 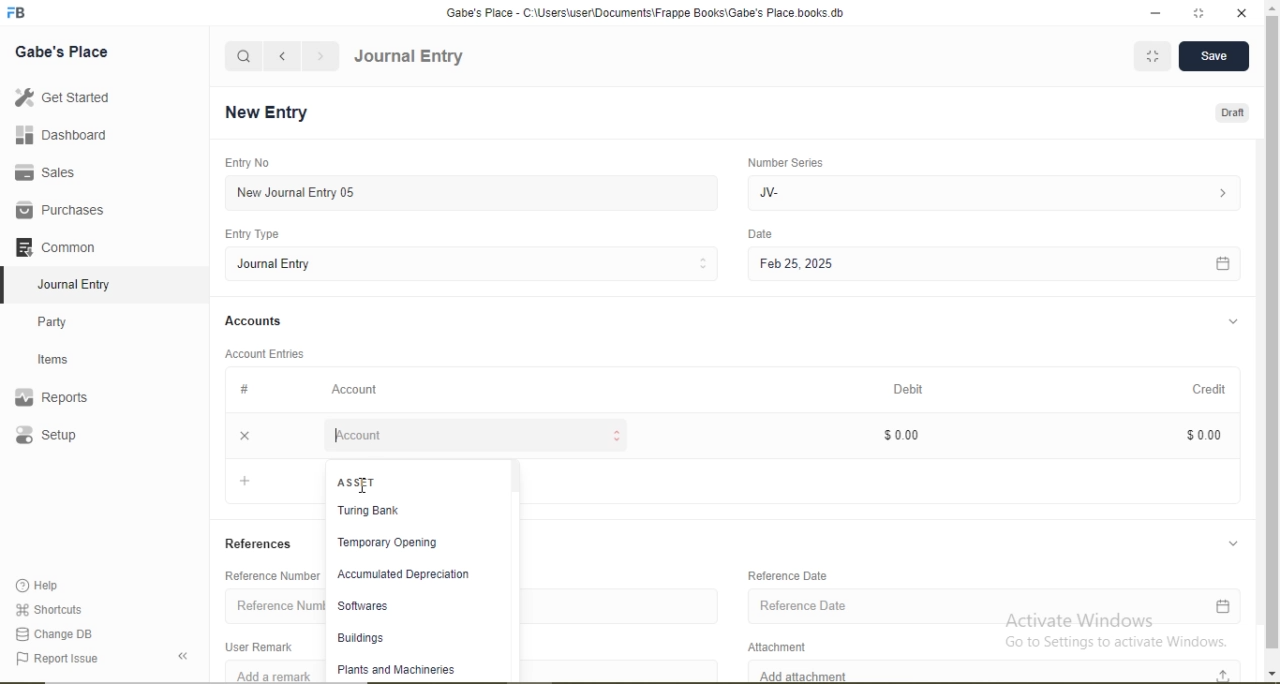 I want to click on Reference Number, so click(x=268, y=575).